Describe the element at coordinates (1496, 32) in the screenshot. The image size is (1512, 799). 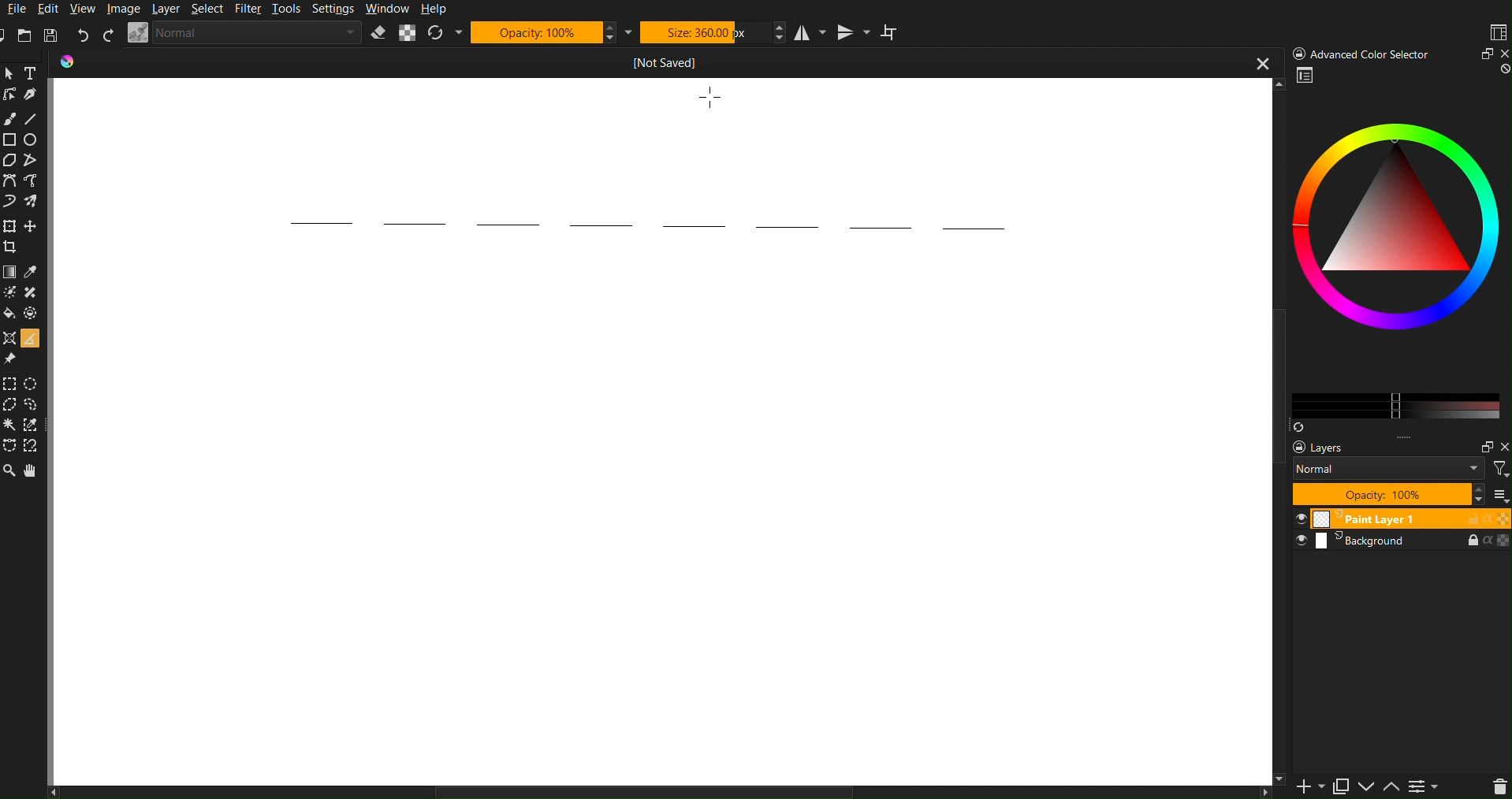
I see `Workspace` at that location.